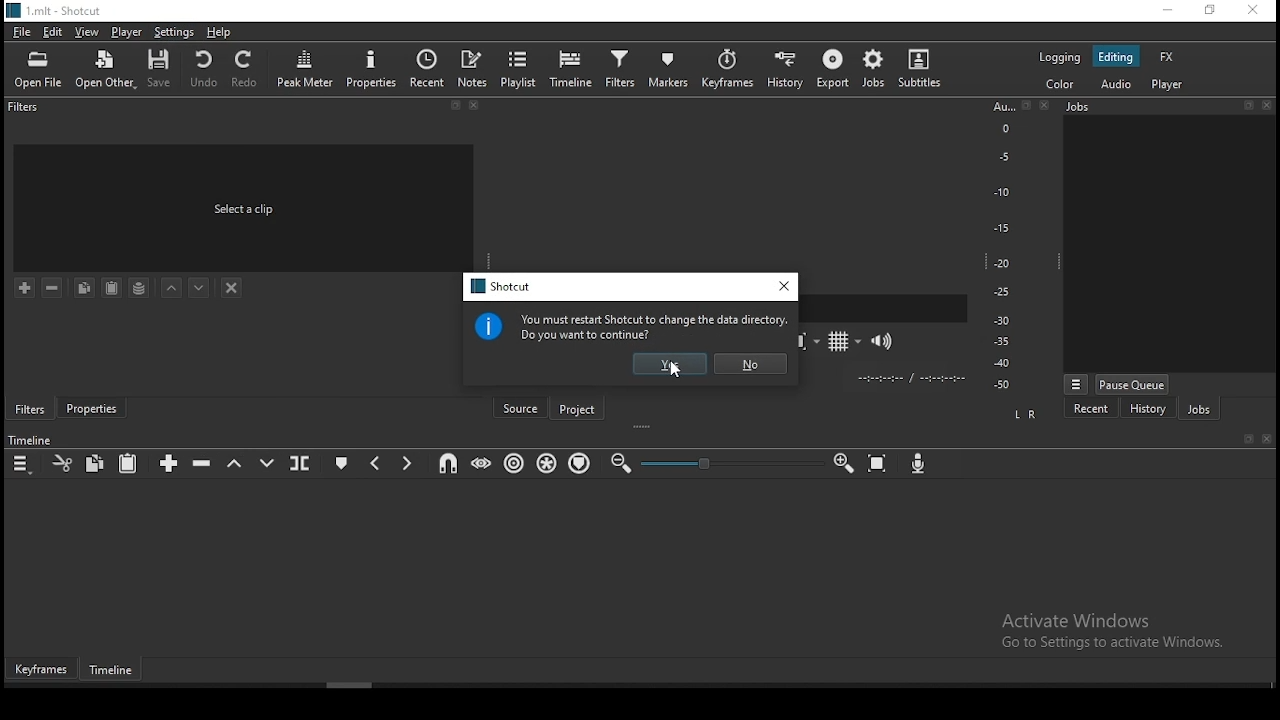 The image size is (1280, 720). What do you see at coordinates (113, 287) in the screenshot?
I see `paste a filter` at bounding box center [113, 287].